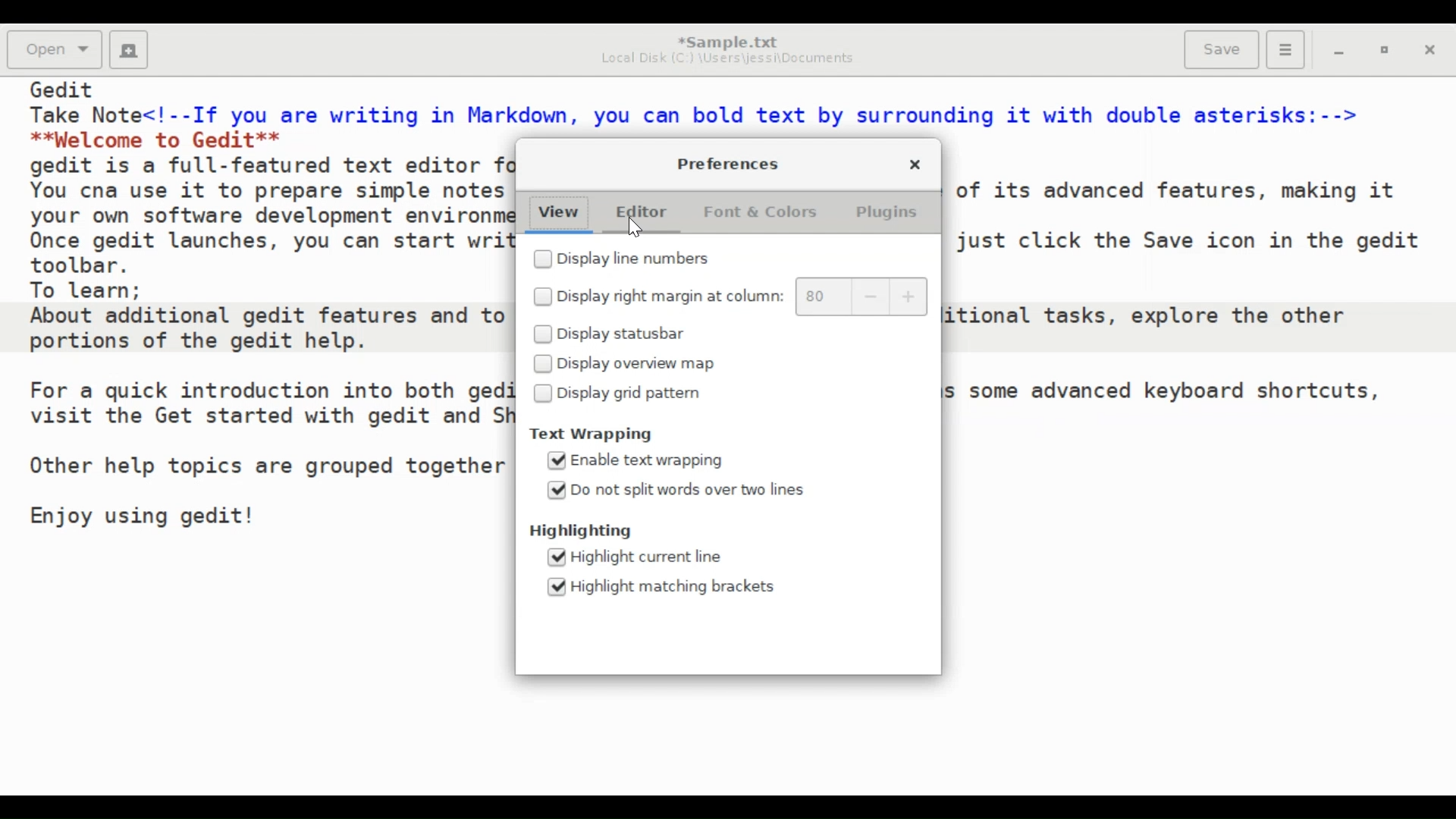 The image size is (1456, 819). I want to click on (un)Select Do not split words over two lines , so click(676, 490).